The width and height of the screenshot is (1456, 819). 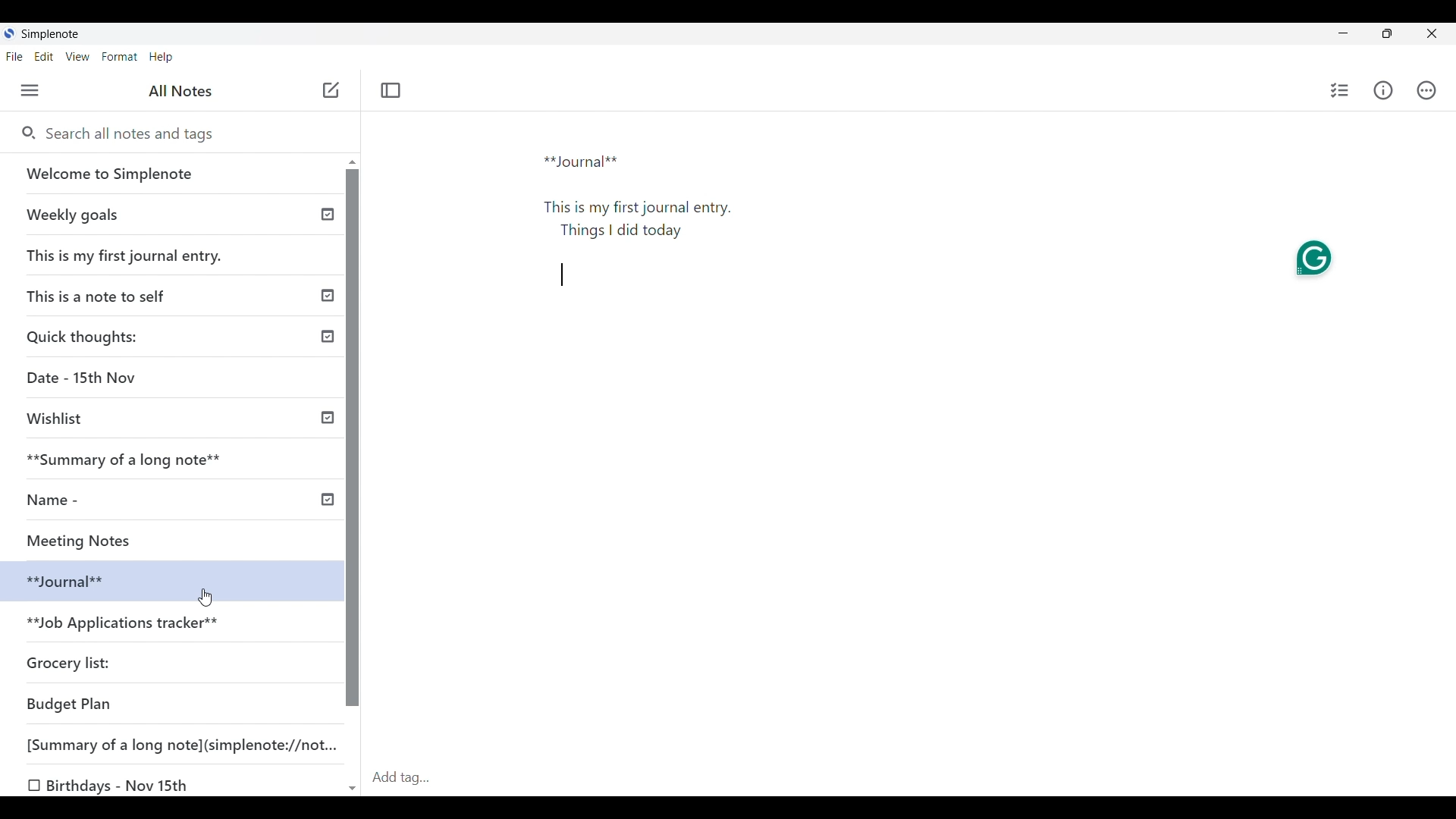 What do you see at coordinates (52, 34) in the screenshot?
I see `Software name` at bounding box center [52, 34].